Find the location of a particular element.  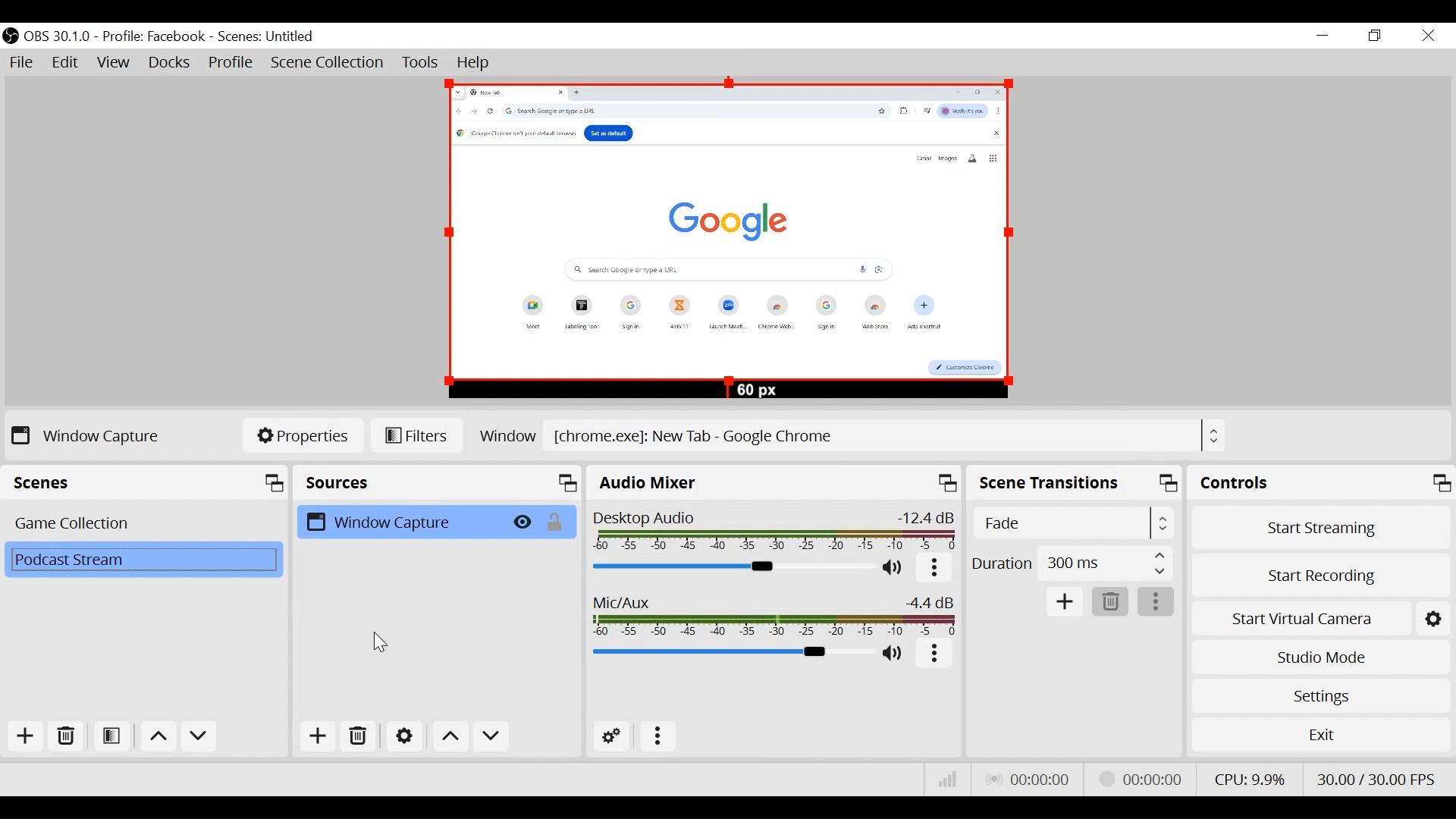

More options is located at coordinates (935, 657).